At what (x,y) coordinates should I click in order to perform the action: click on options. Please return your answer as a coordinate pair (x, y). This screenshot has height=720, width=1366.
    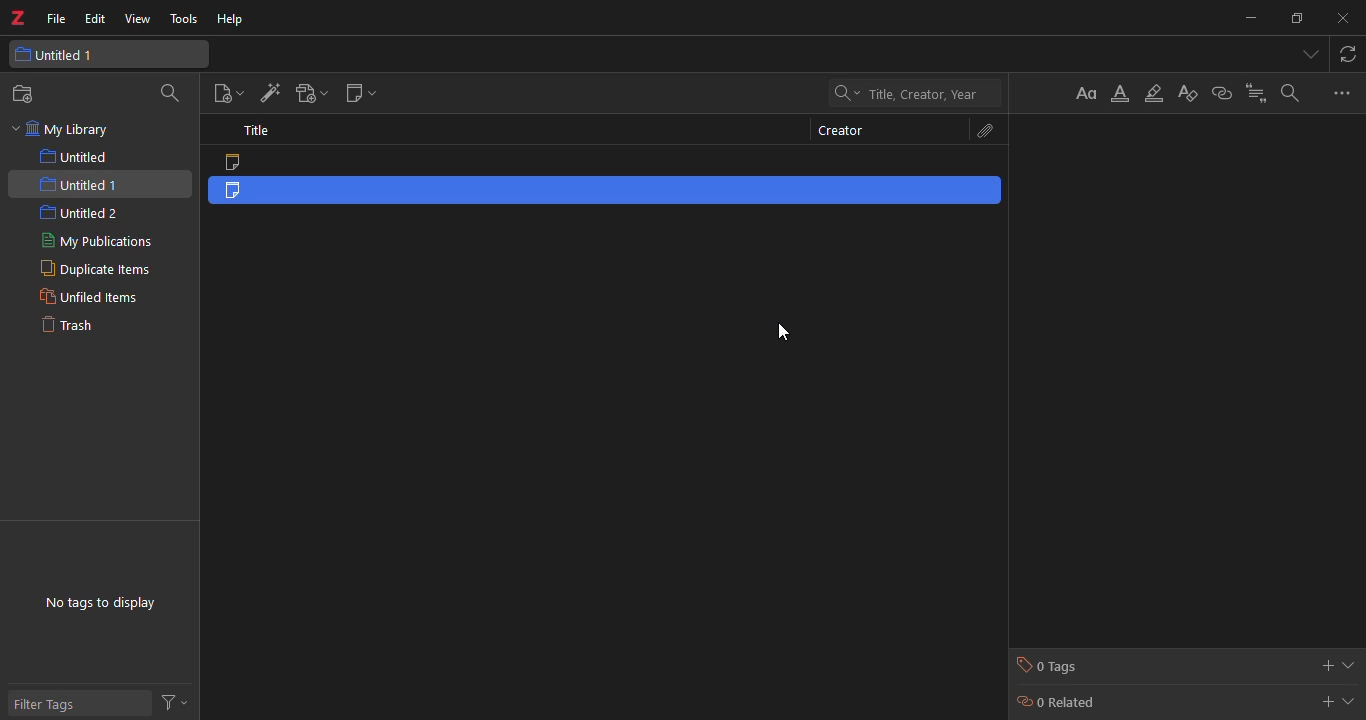
    Looking at the image, I should click on (1341, 95).